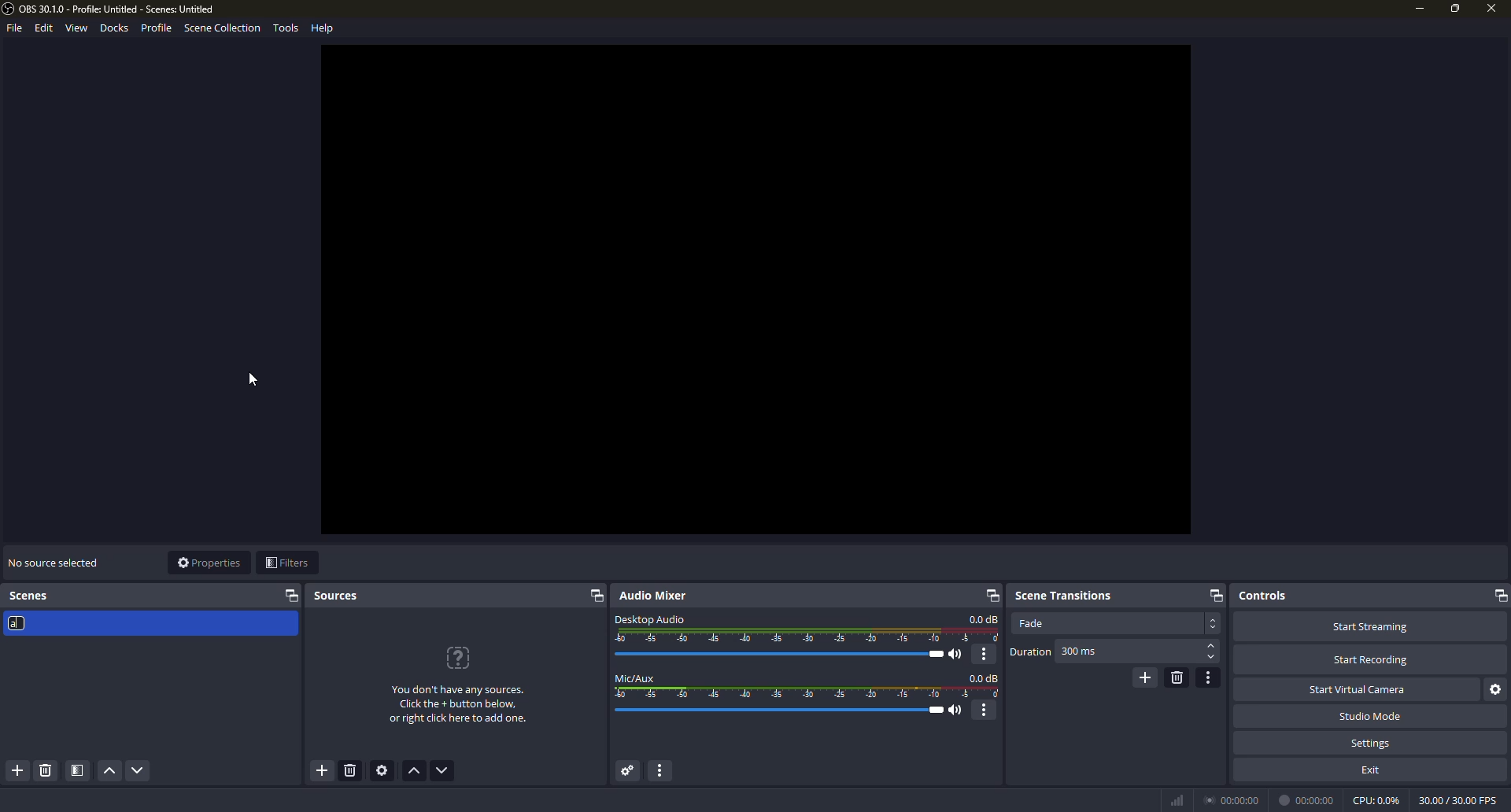  What do you see at coordinates (1214, 623) in the screenshot?
I see `drop down` at bounding box center [1214, 623].